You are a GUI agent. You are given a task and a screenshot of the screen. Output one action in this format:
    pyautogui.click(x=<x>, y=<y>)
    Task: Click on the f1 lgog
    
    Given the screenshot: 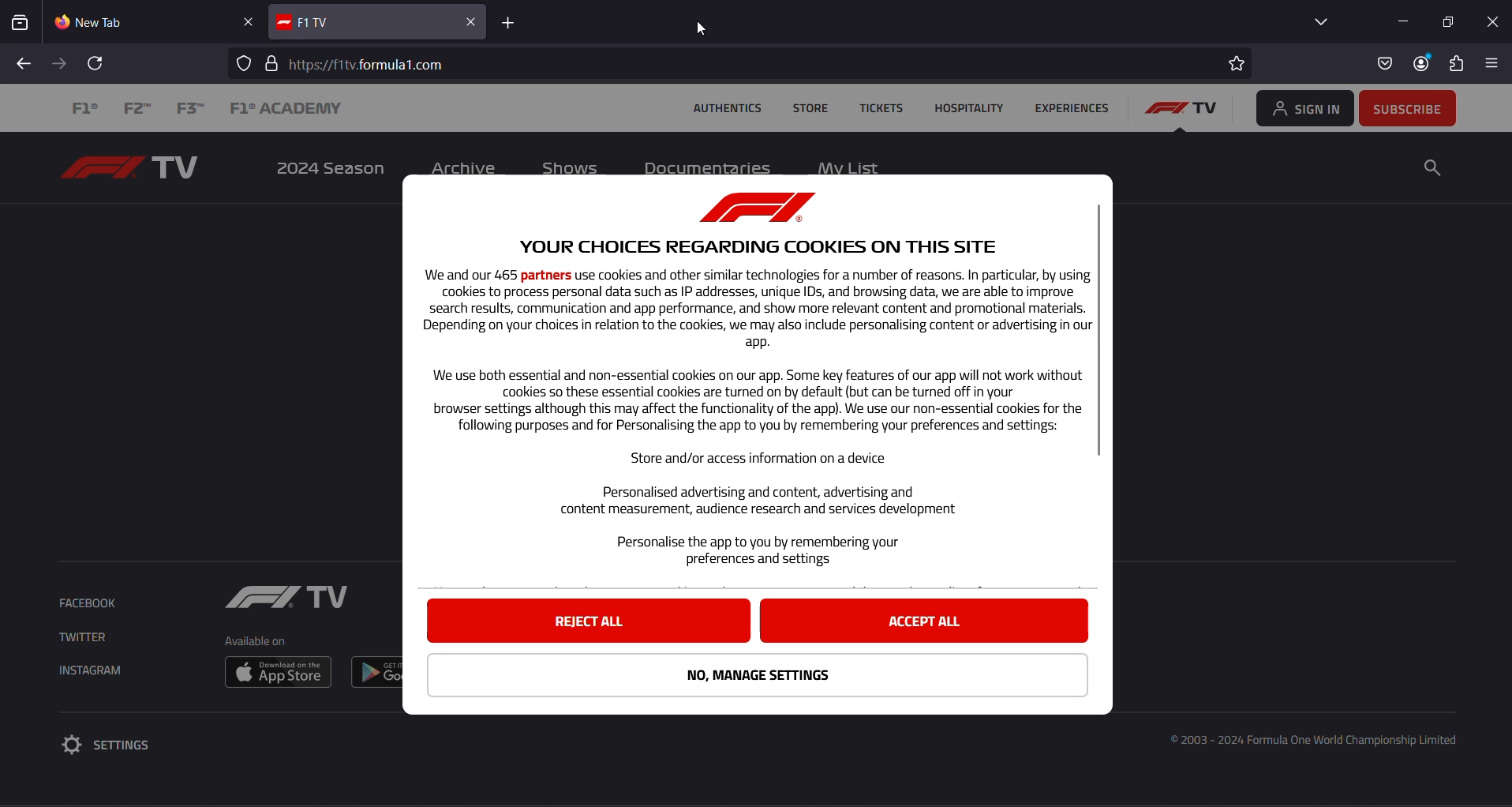 What is the action you would take?
    pyautogui.click(x=284, y=599)
    